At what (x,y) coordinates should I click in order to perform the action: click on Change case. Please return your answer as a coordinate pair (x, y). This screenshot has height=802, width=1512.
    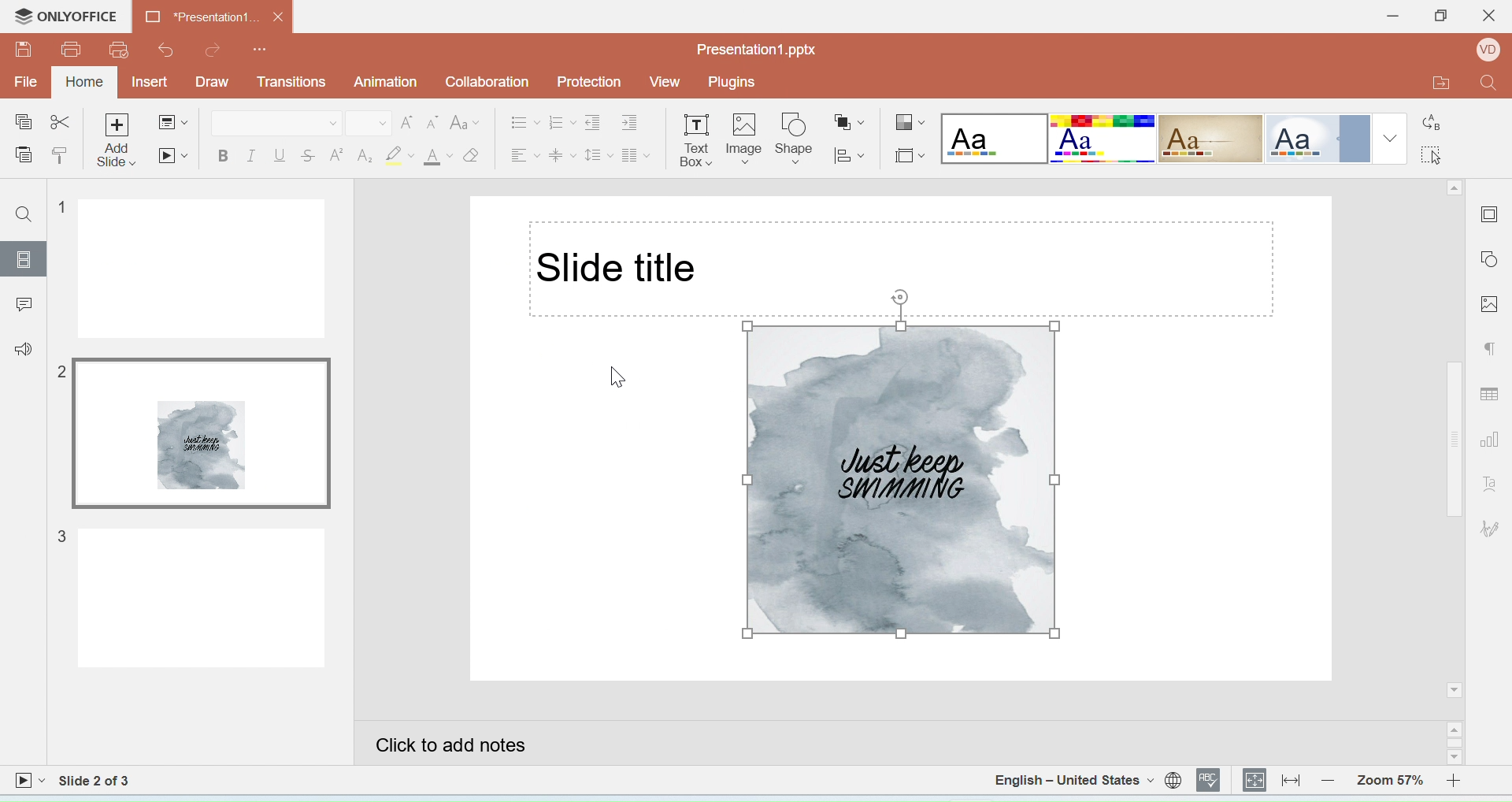
    Looking at the image, I should click on (466, 122).